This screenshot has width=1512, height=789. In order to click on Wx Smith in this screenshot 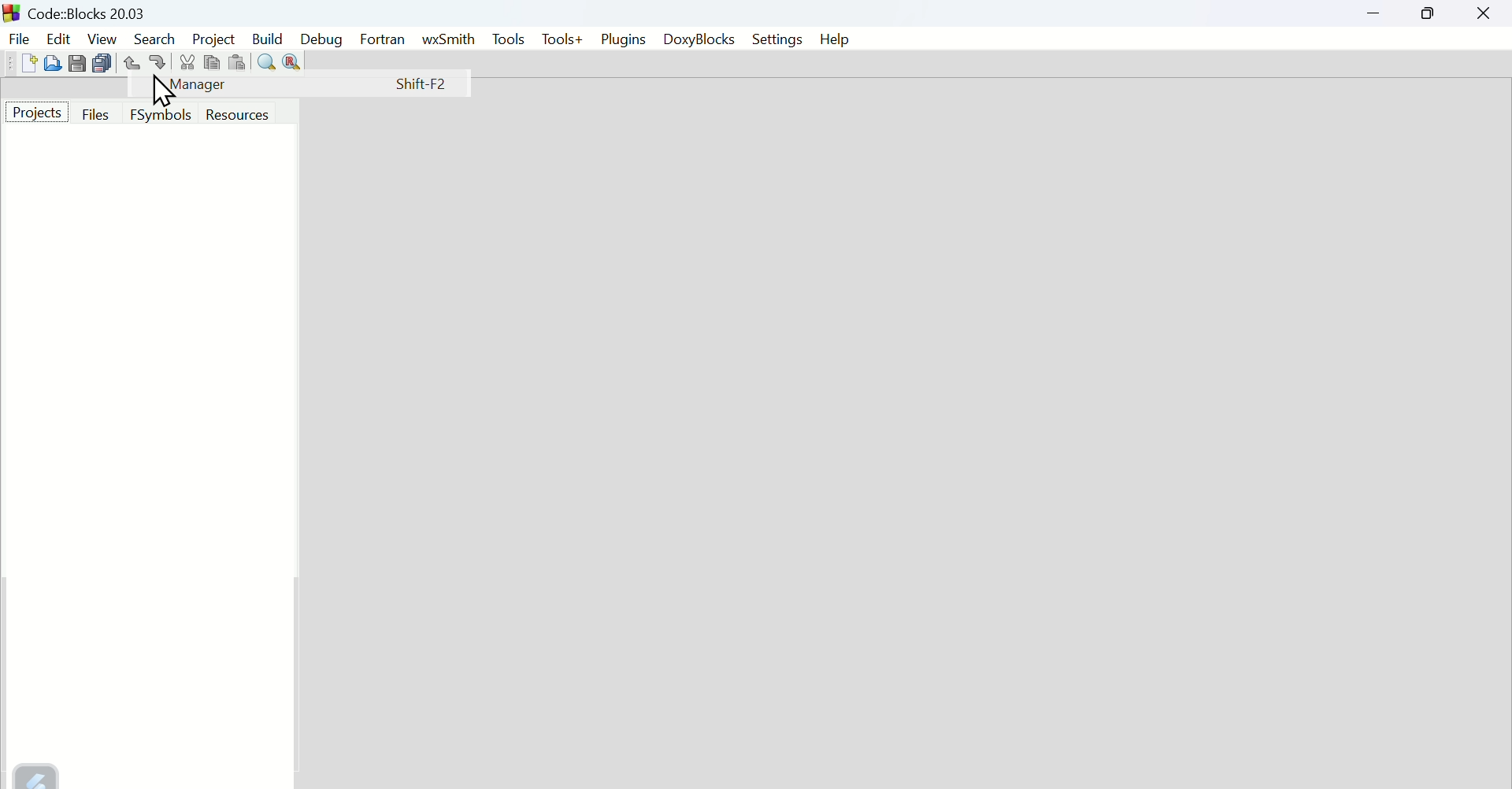, I will do `click(447, 40)`.